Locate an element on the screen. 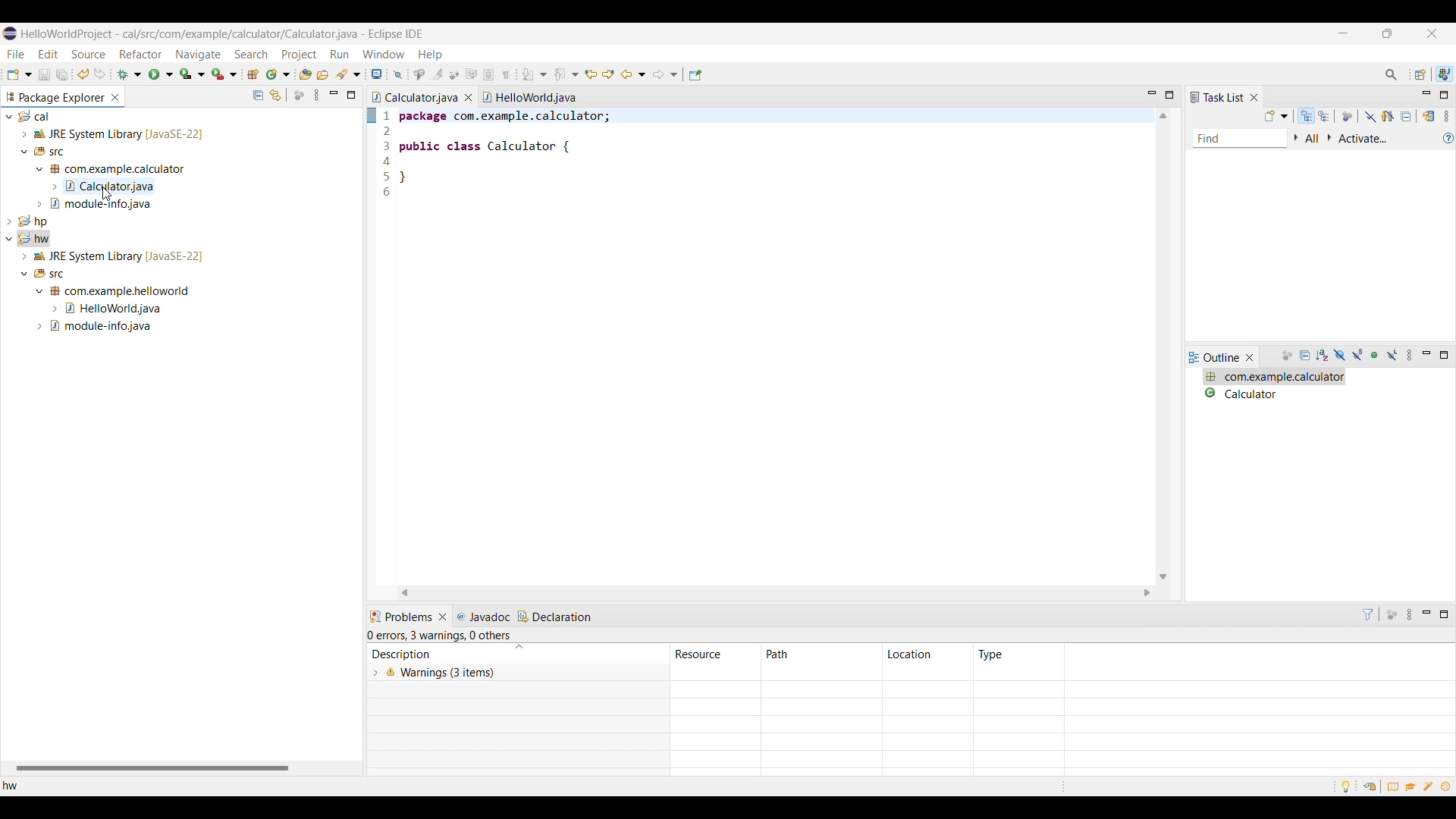 This screenshot has height=819, width=1456. New Java Package is located at coordinates (253, 74).